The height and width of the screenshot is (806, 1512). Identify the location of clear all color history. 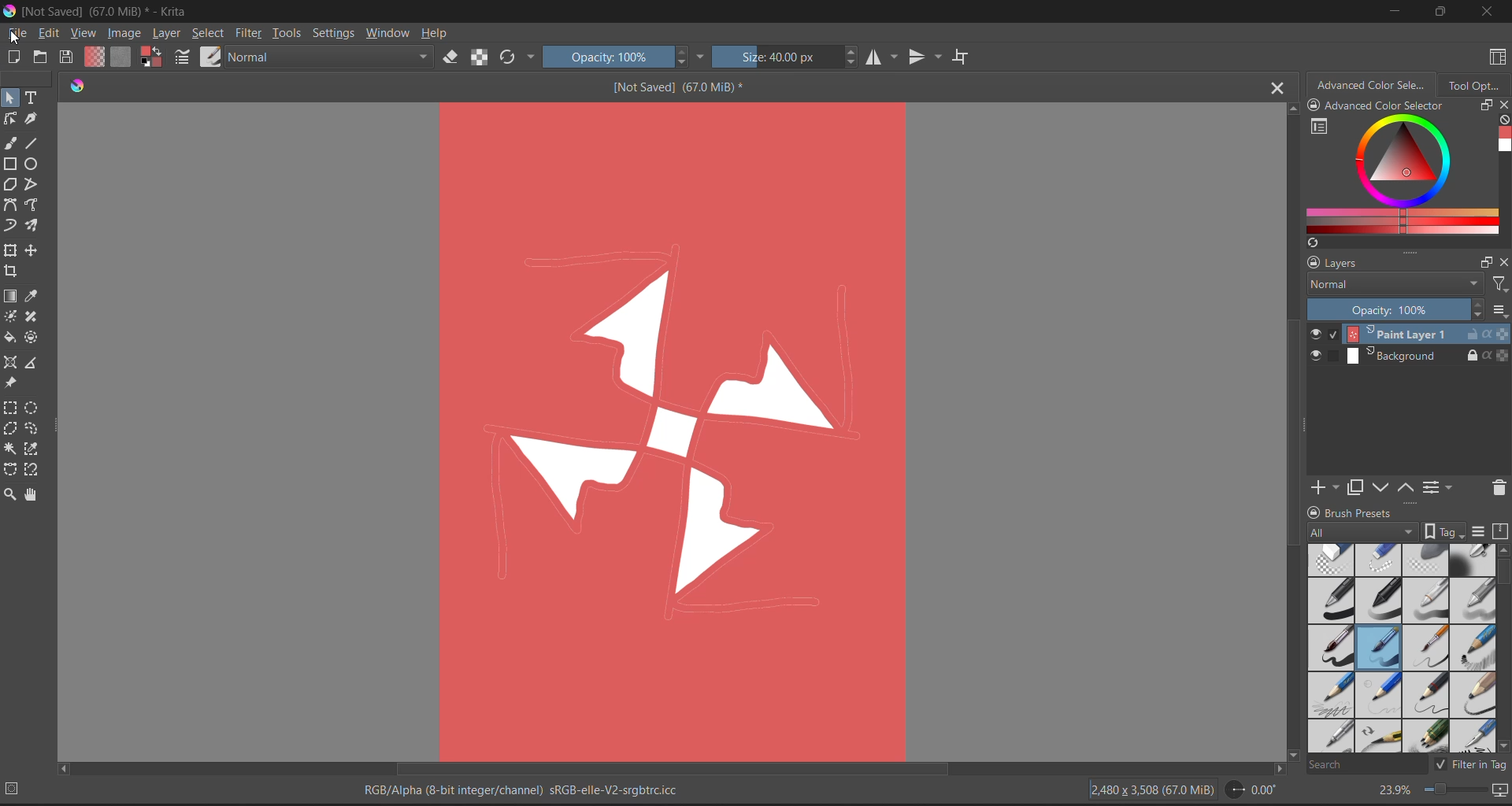
(1501, 119).